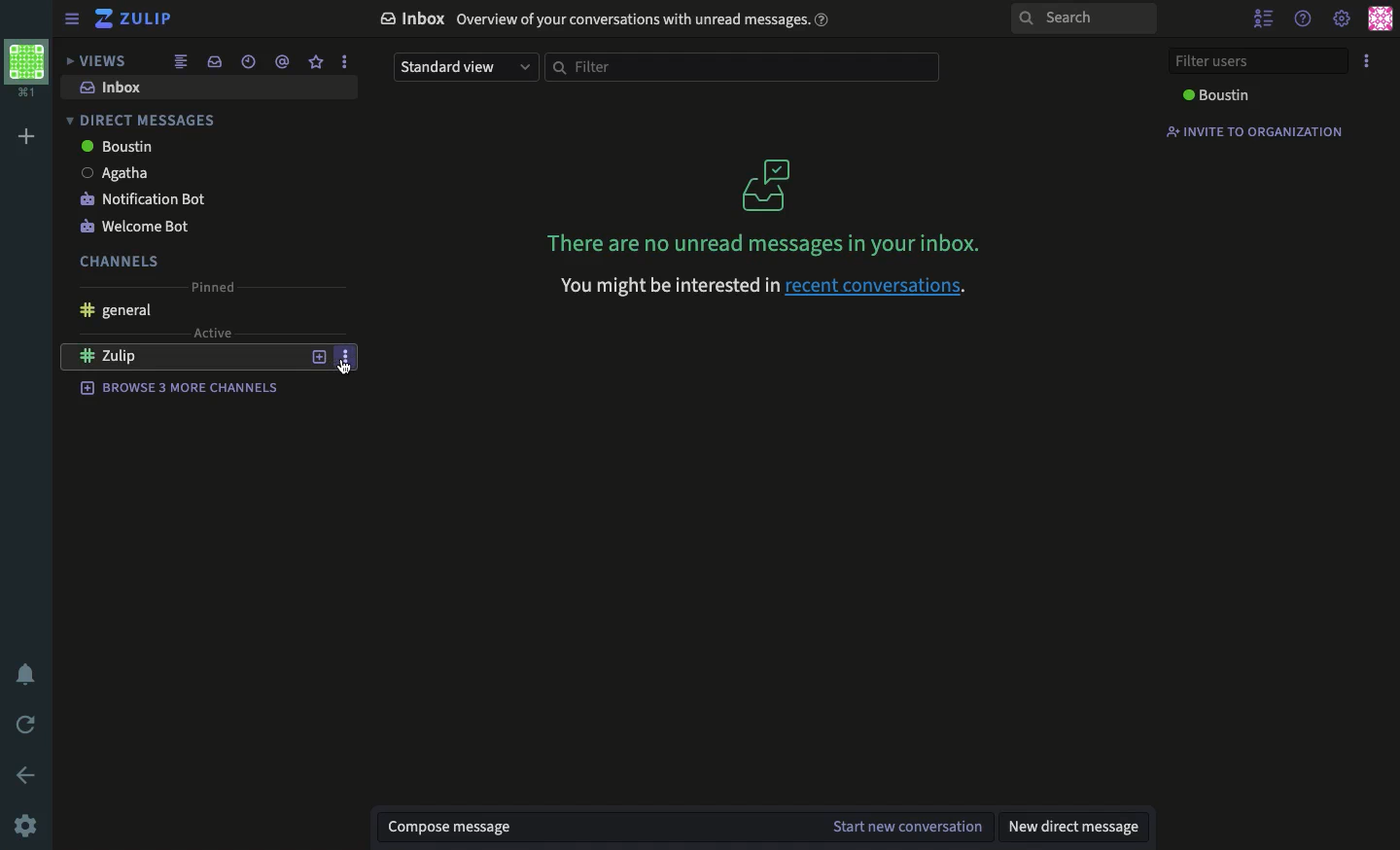  What do you see at coordinates (347, 367) in the screenshot?
I see `click` at bounding box center [347, 367].